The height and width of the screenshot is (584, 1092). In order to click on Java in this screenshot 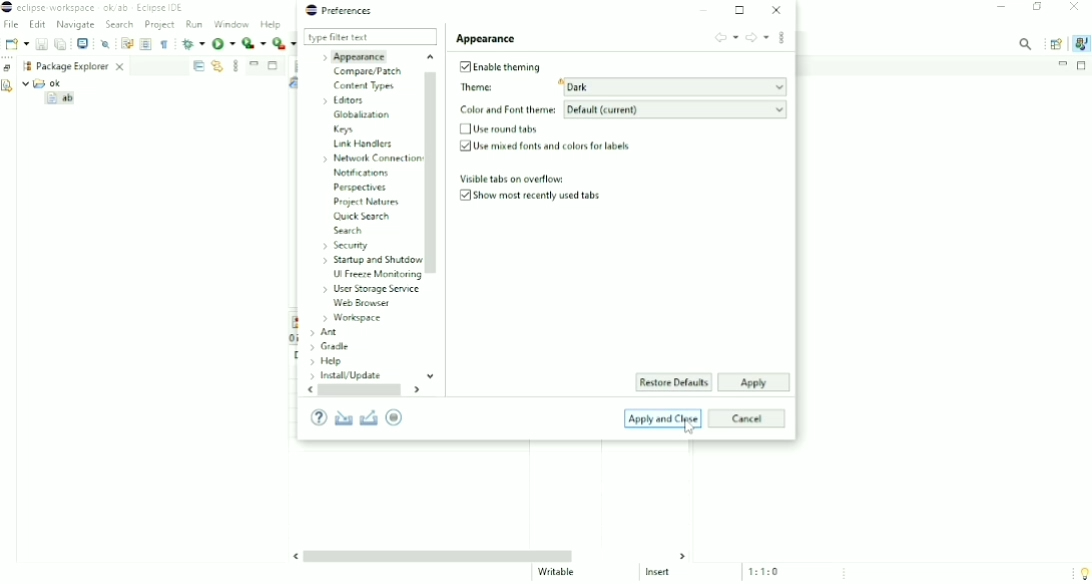, I will do `click(1082, 43)`.